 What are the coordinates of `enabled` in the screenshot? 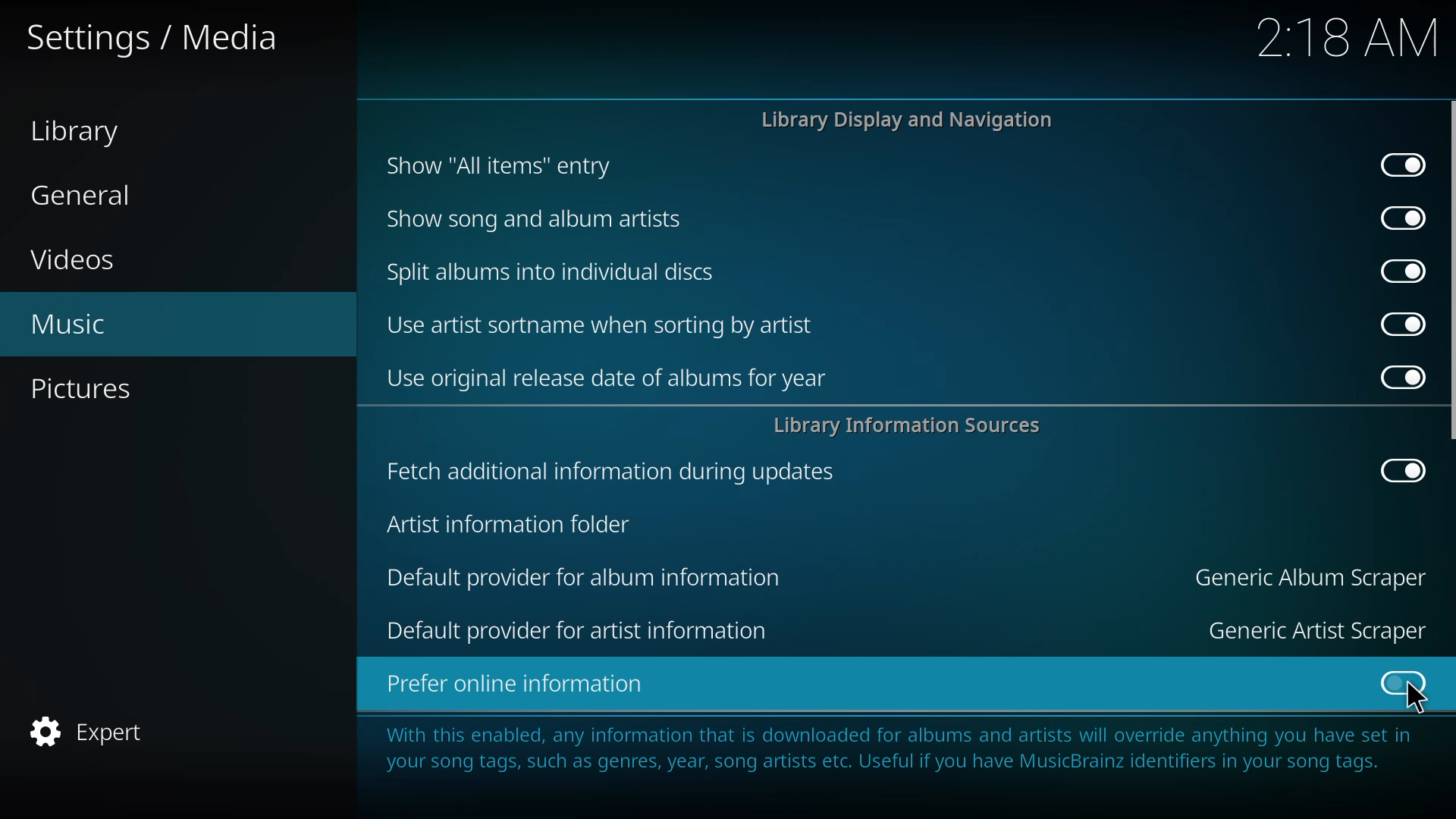 It's located at (1397, 269).